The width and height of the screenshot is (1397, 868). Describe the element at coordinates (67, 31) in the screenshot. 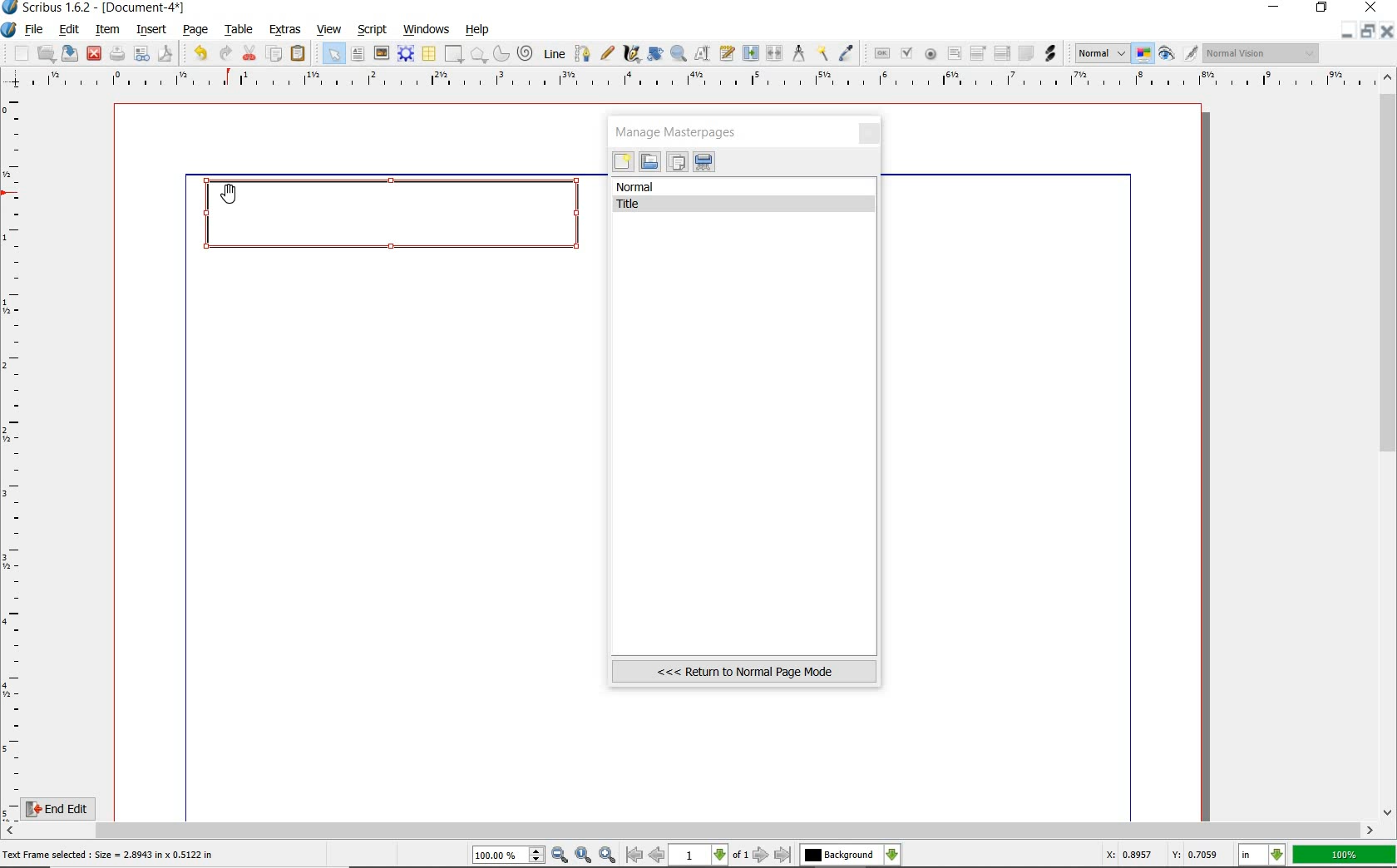

I see `edit` at that location.